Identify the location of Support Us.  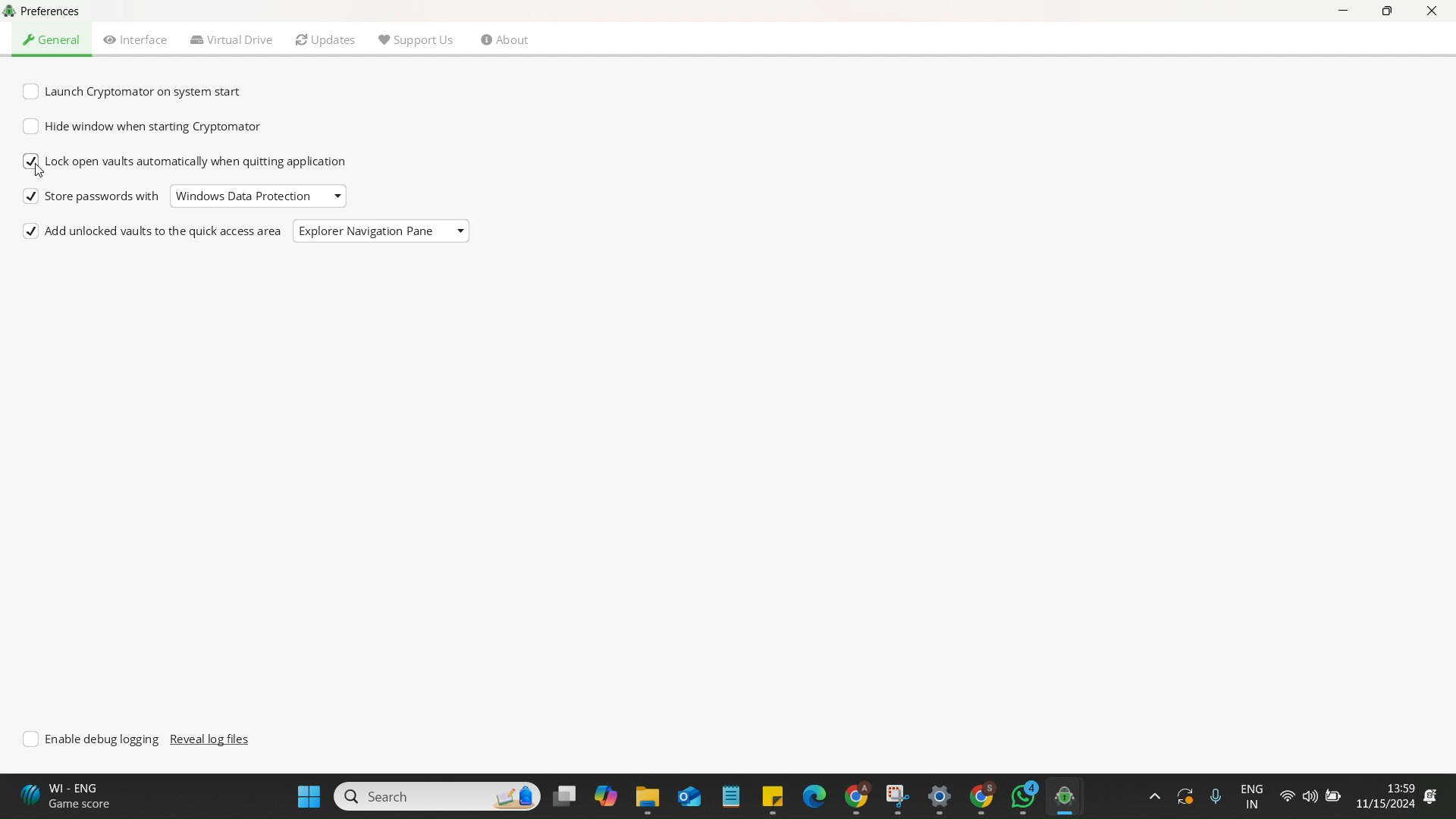
(415, 38).